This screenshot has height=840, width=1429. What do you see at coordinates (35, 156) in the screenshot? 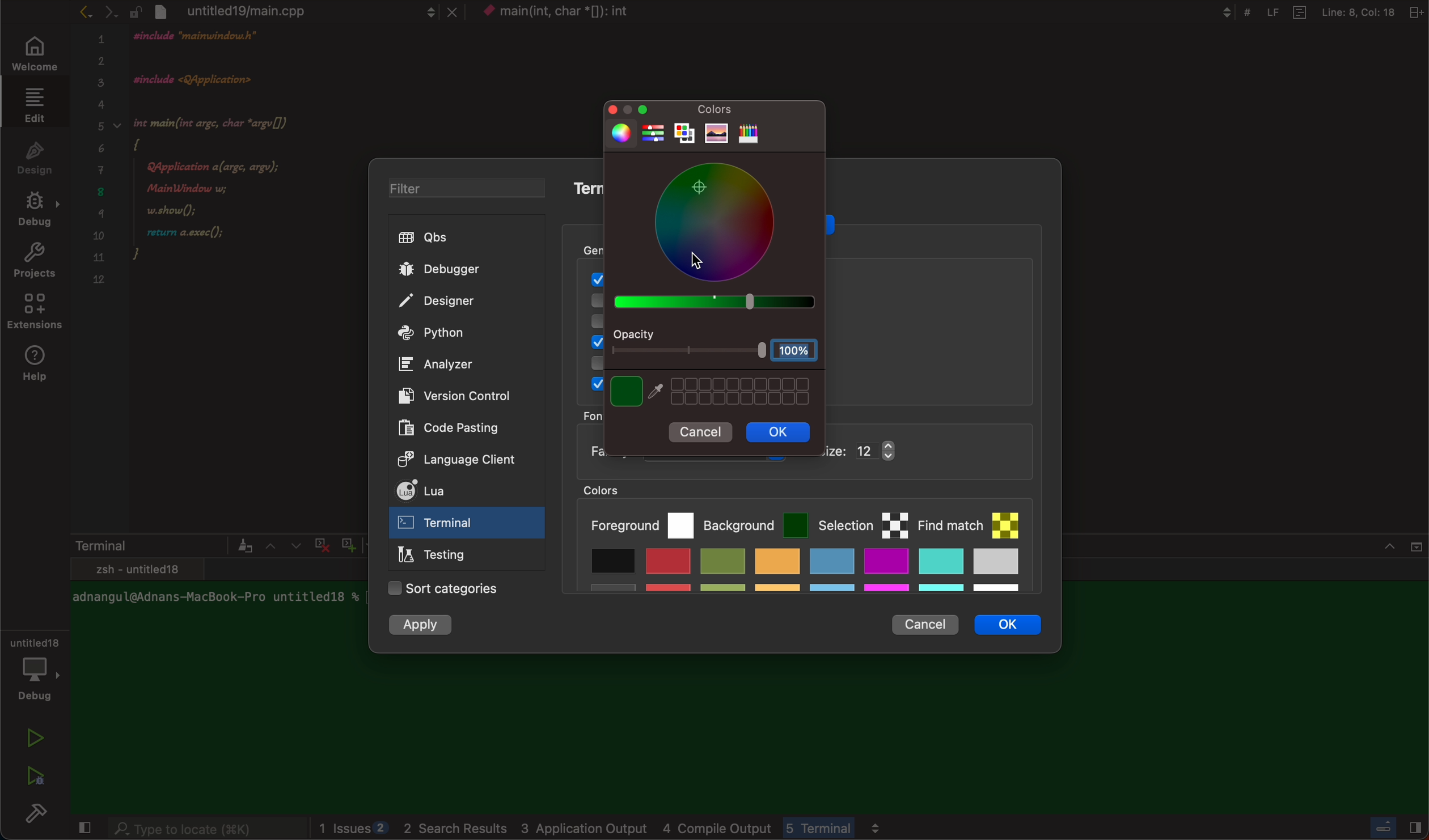
I see `design` at bounding box center [35, 156].